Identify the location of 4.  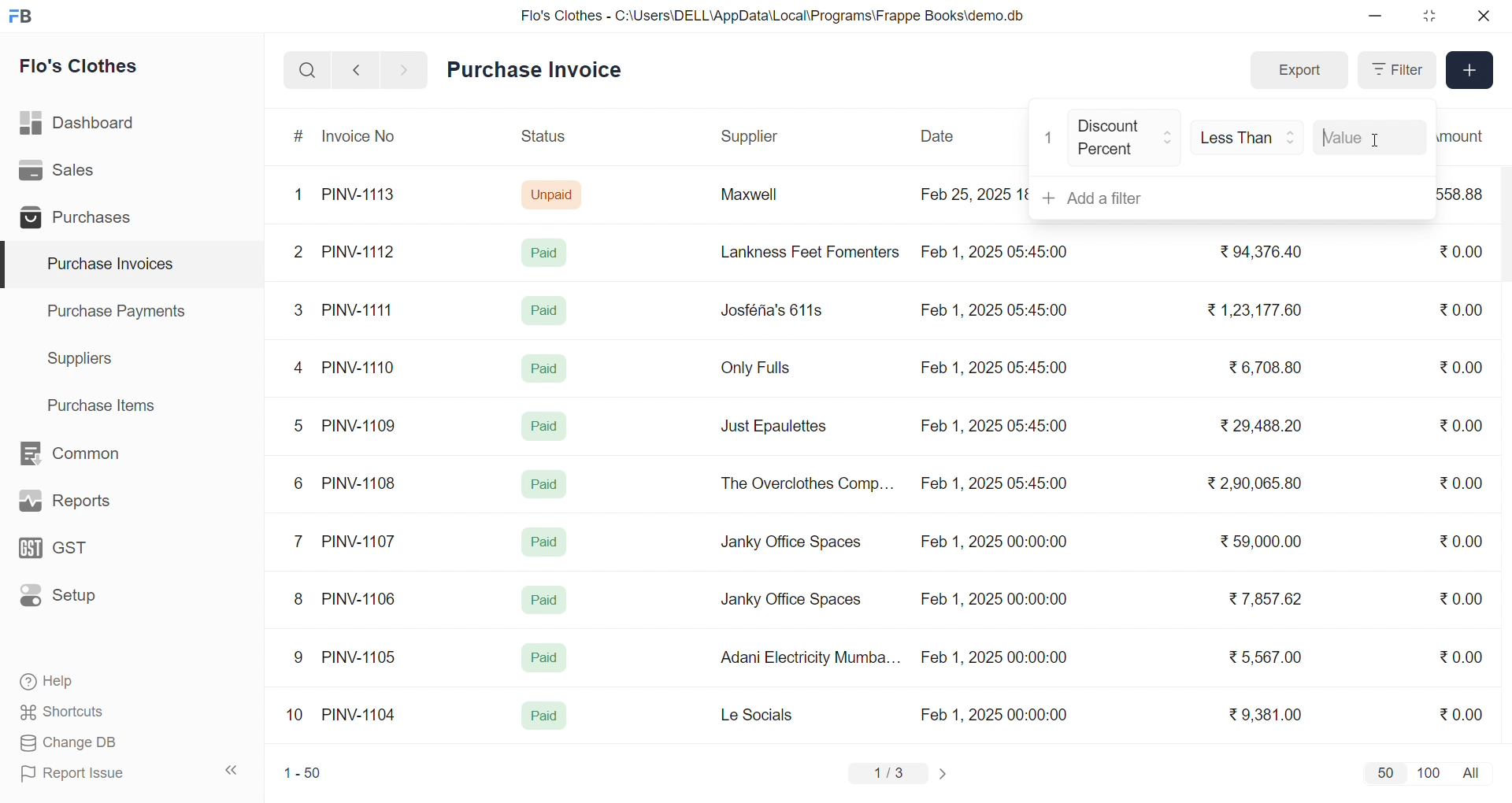
(302, 368).